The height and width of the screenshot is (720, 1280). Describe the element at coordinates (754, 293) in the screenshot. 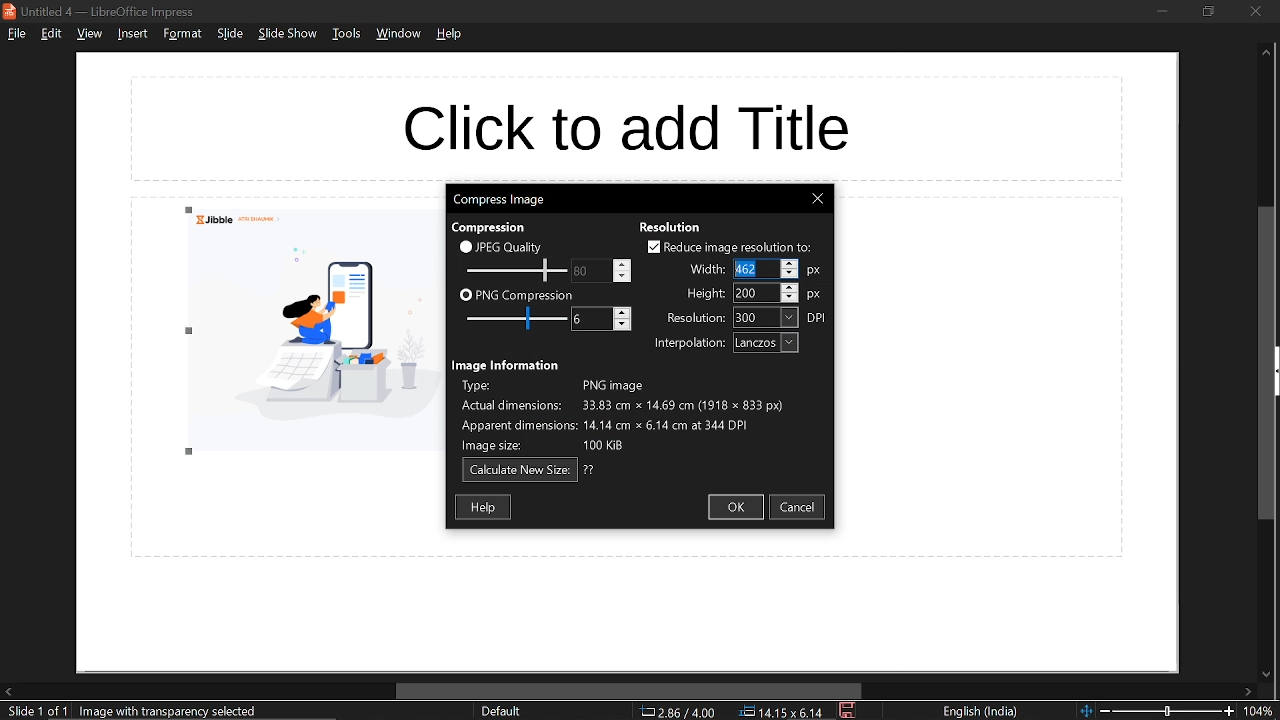

I see `height` at that location.